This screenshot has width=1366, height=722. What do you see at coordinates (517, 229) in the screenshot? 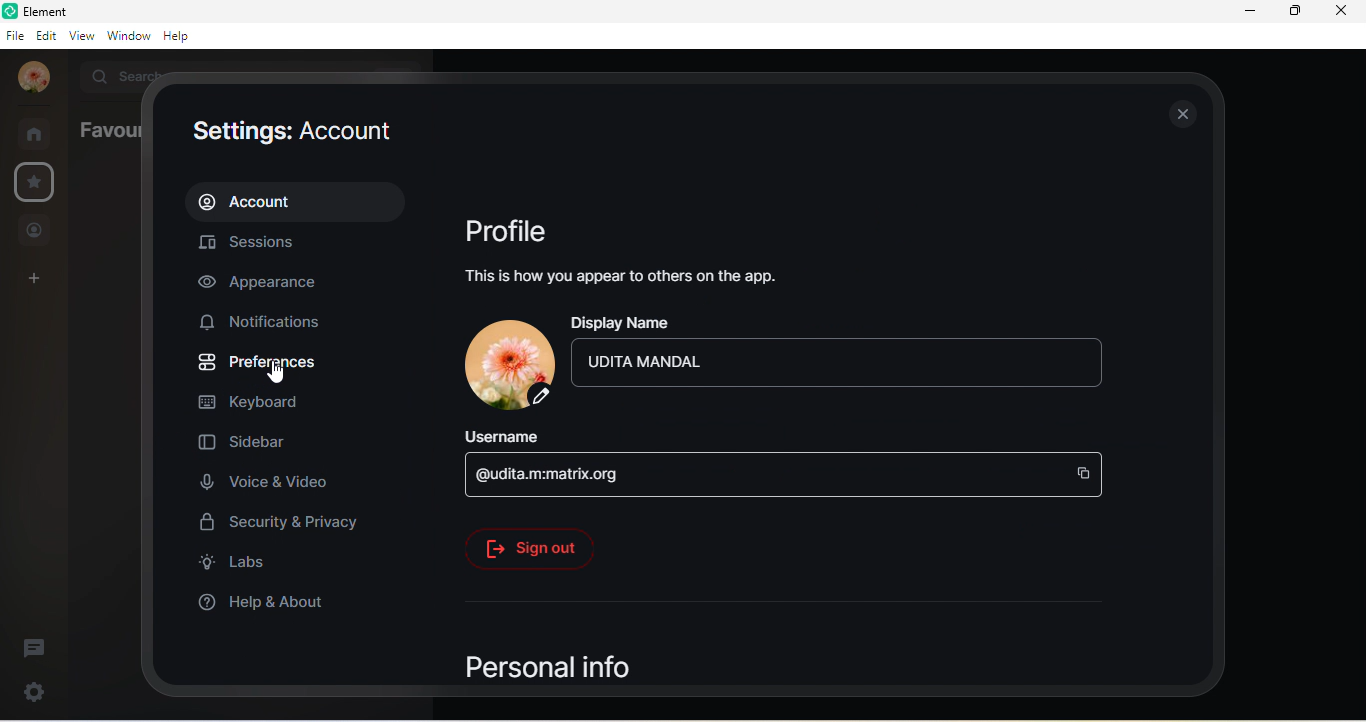
I see `profile` at bounding box center [517, 229].